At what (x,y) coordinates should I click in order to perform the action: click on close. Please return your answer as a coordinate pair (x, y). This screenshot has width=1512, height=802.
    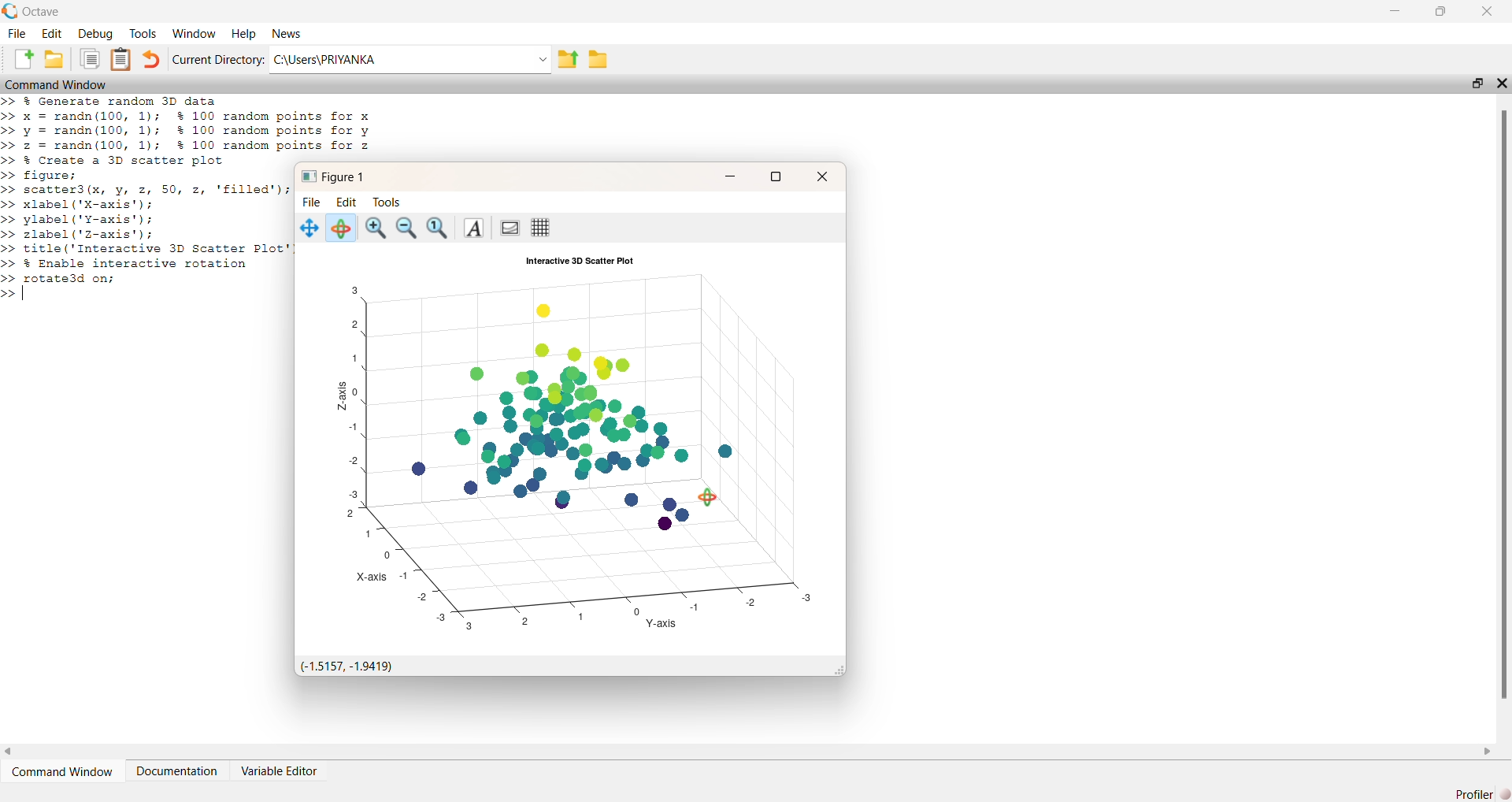
    Looking at the image, I should click on (1488, 11).